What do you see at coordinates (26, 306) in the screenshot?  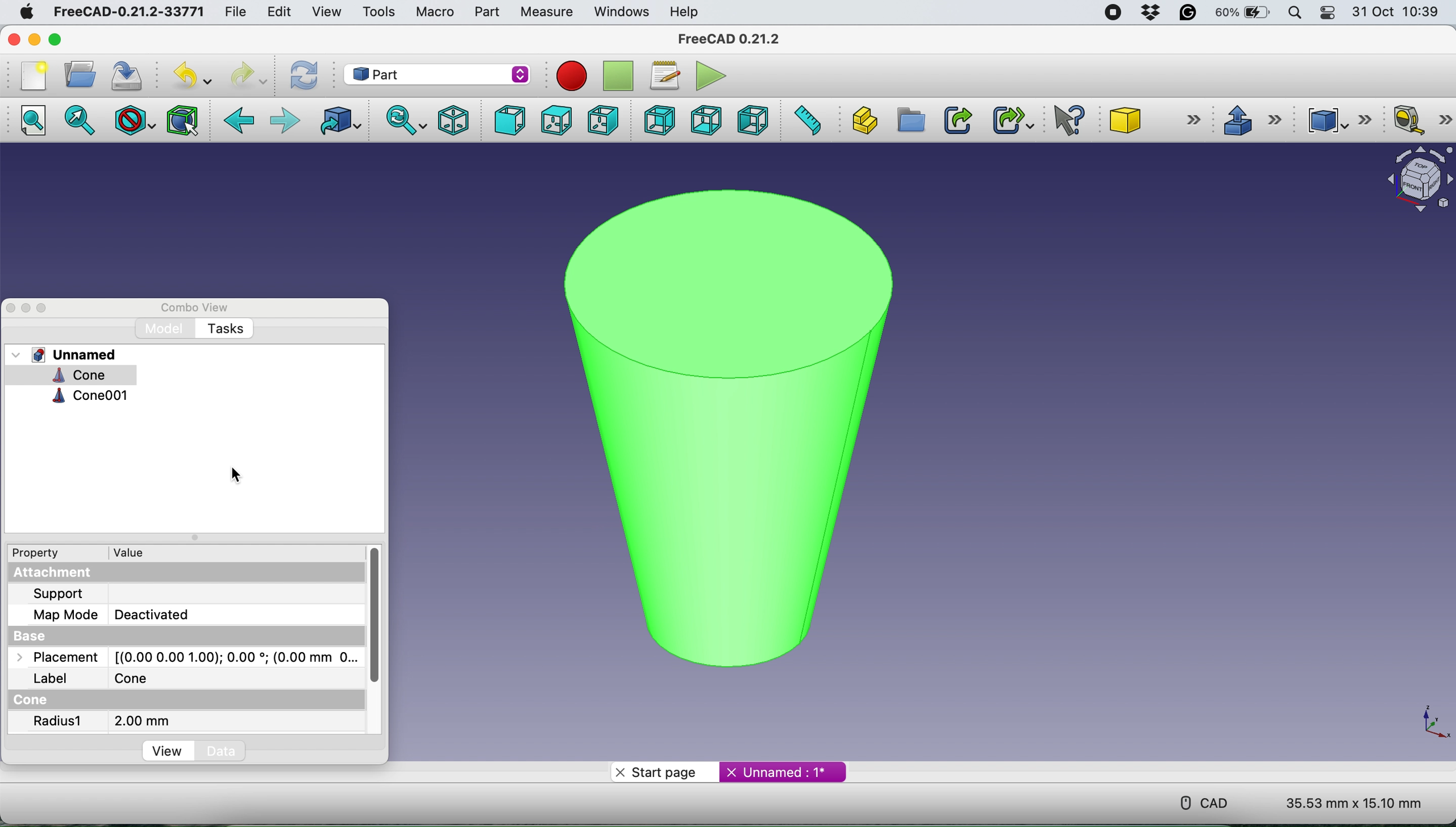 I see `minimise` at bounding box center [26, 306].